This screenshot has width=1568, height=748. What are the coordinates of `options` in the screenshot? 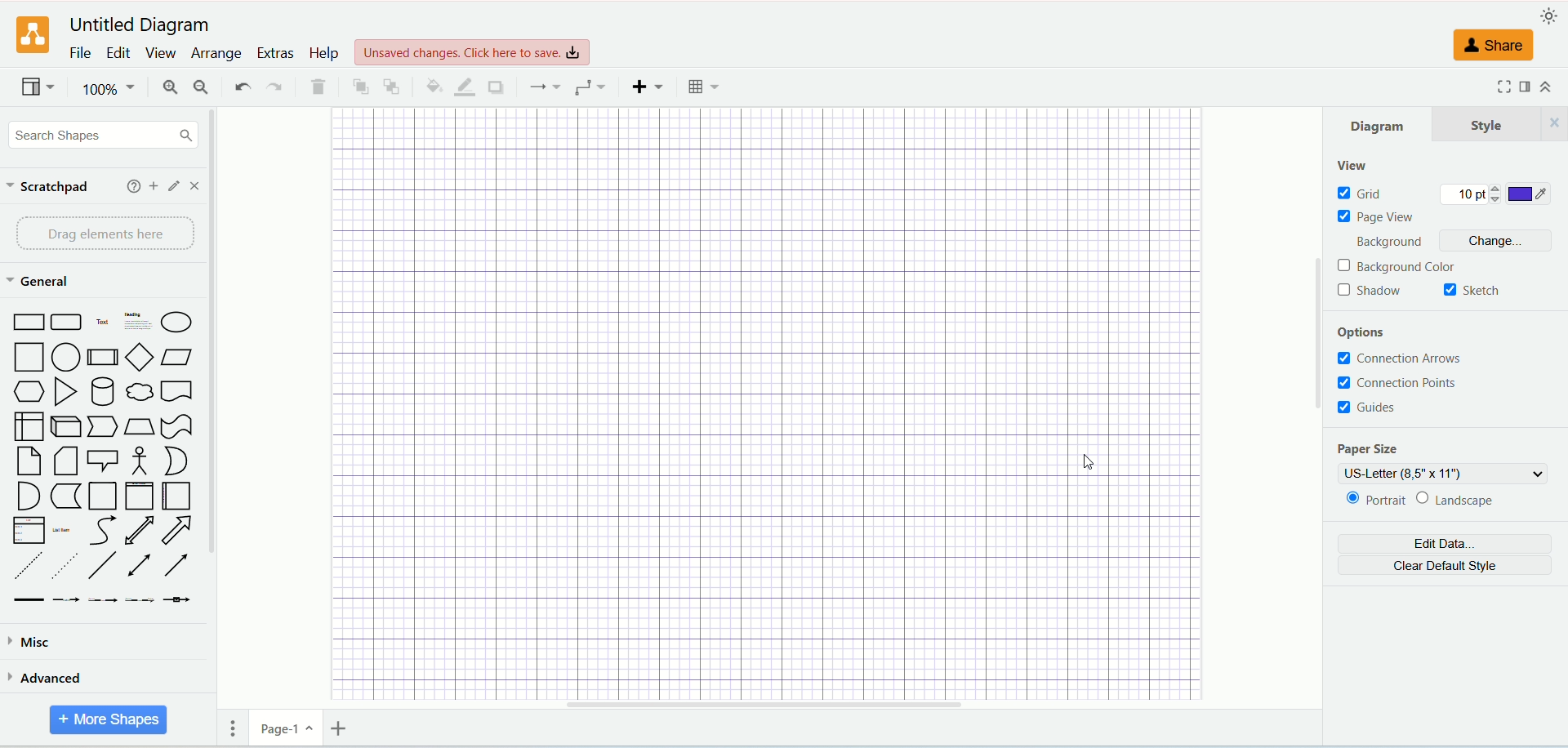 It's located at (1363, 333).